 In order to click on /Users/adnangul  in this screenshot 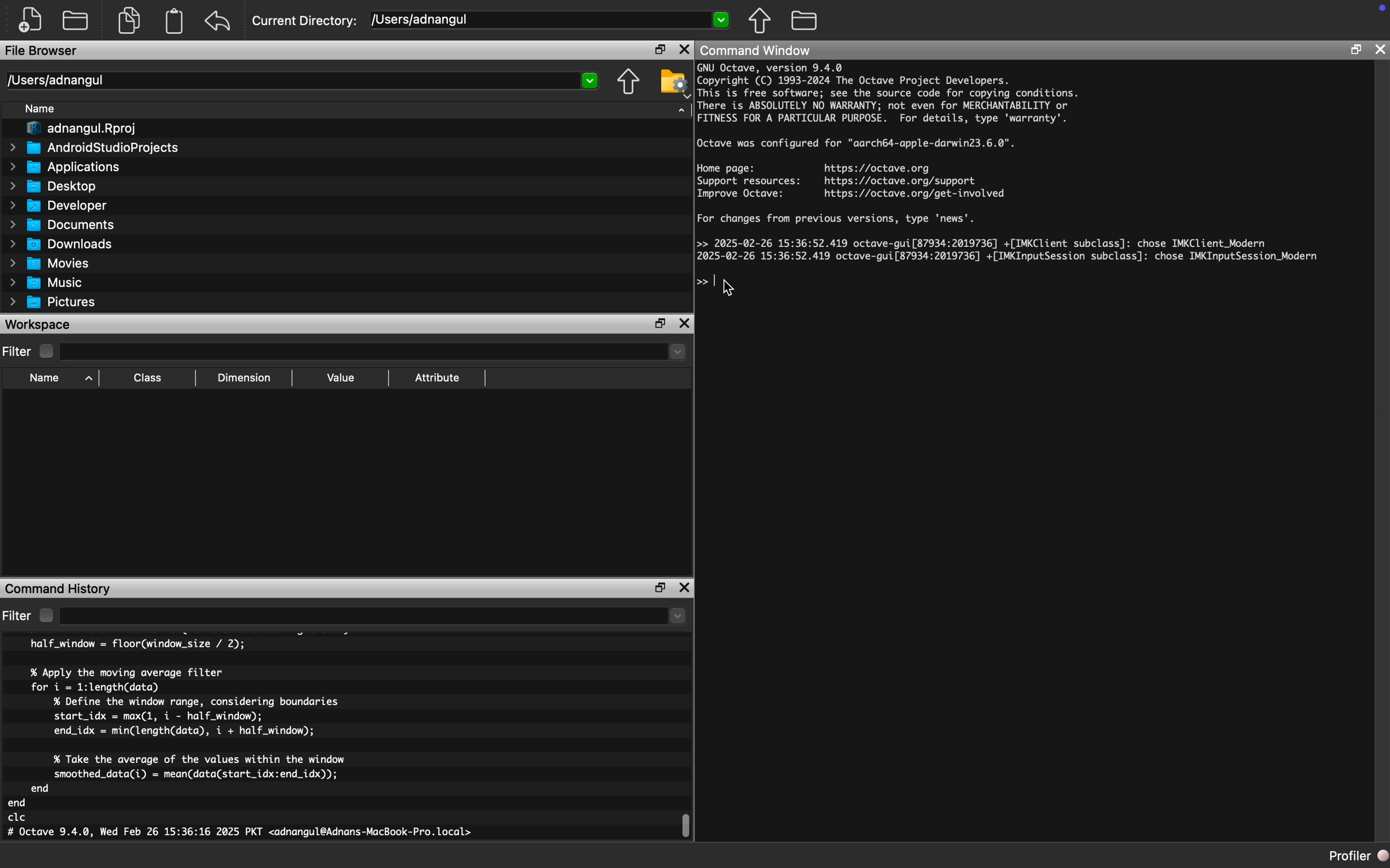, I will do `click(303, 80)`.